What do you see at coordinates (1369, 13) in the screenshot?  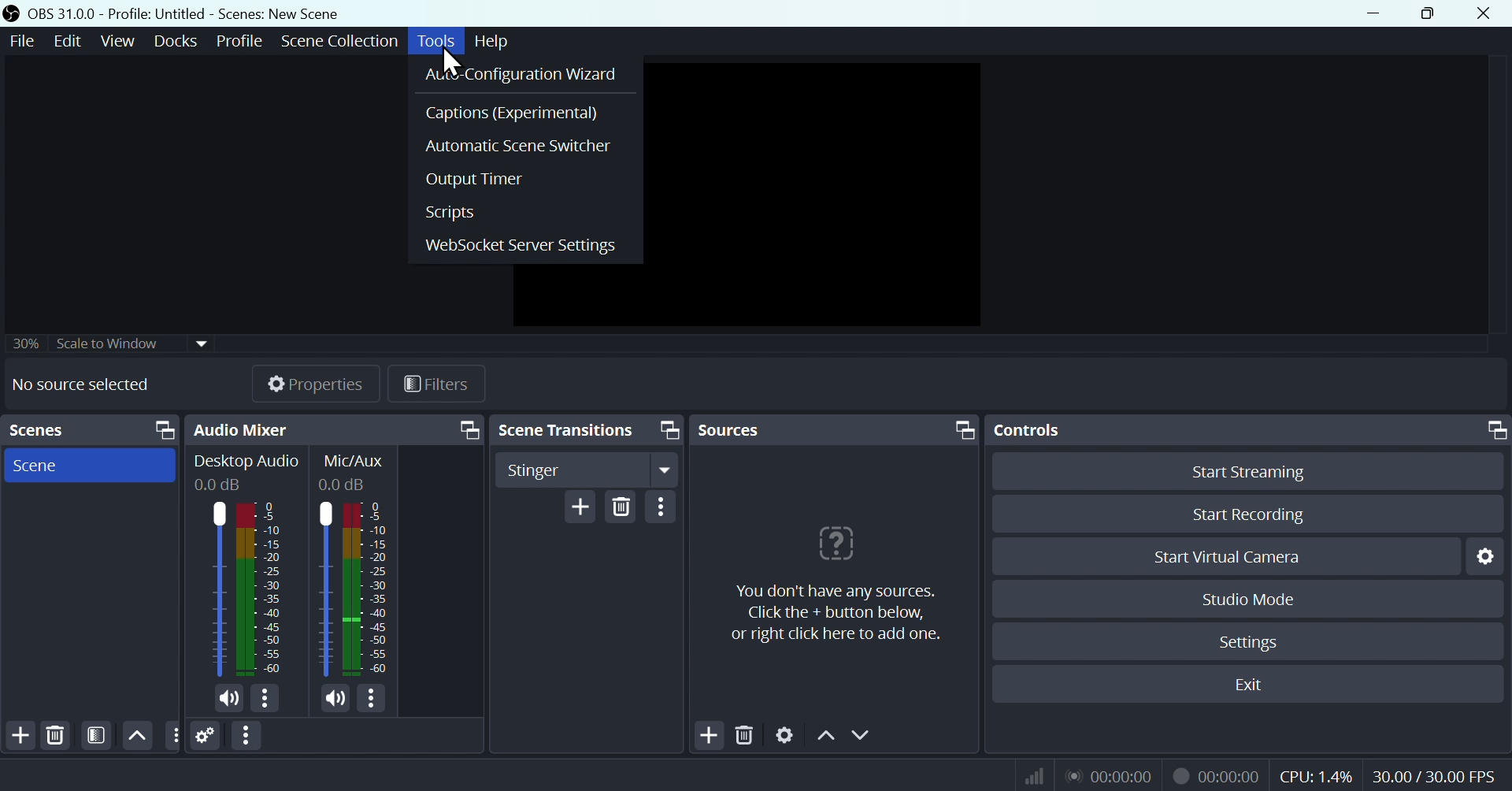 I see `minimise` at bounding box center [1369, 13].